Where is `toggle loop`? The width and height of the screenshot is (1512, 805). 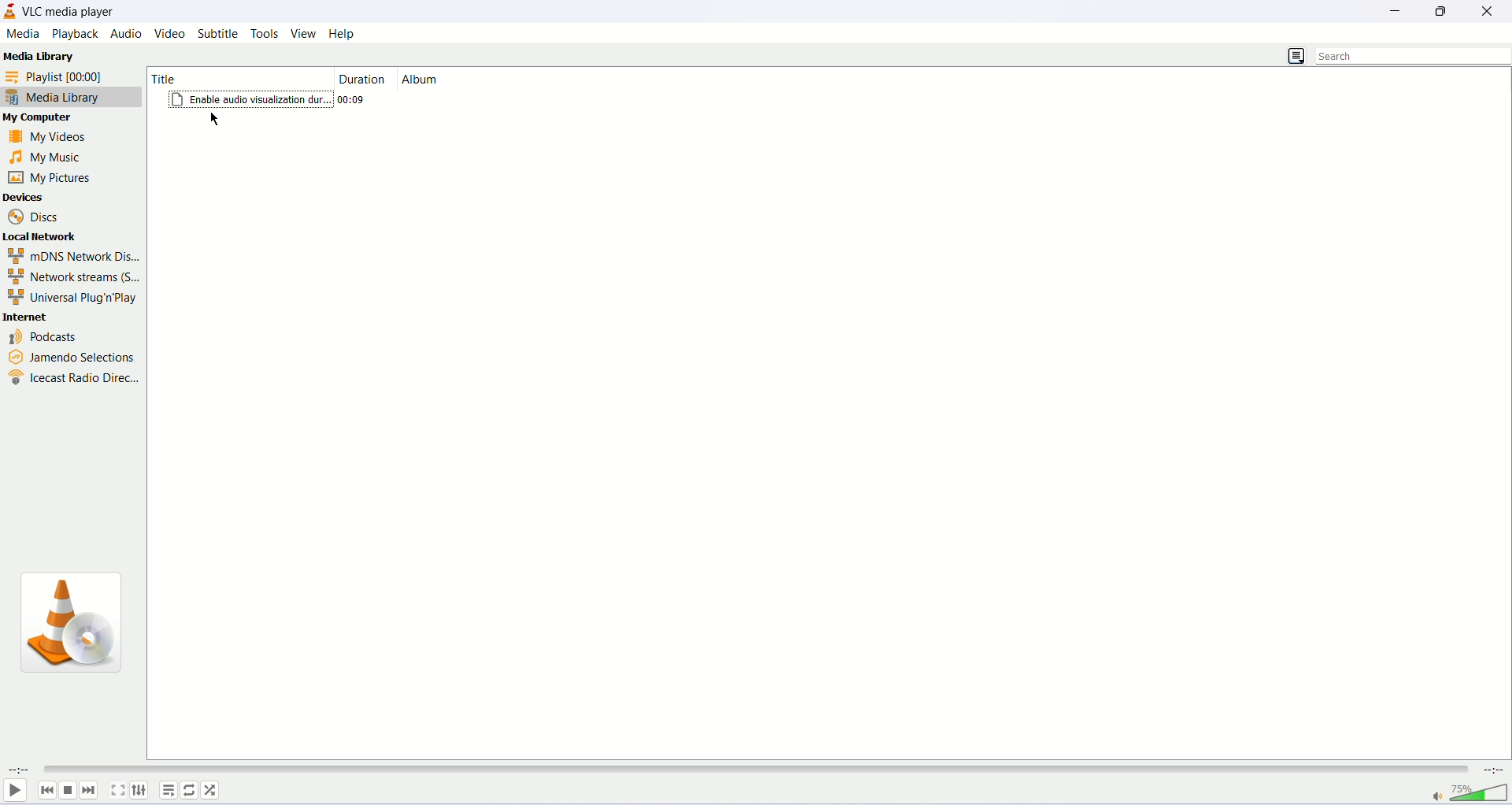
toggle loop is located at coordinates (188, 791).